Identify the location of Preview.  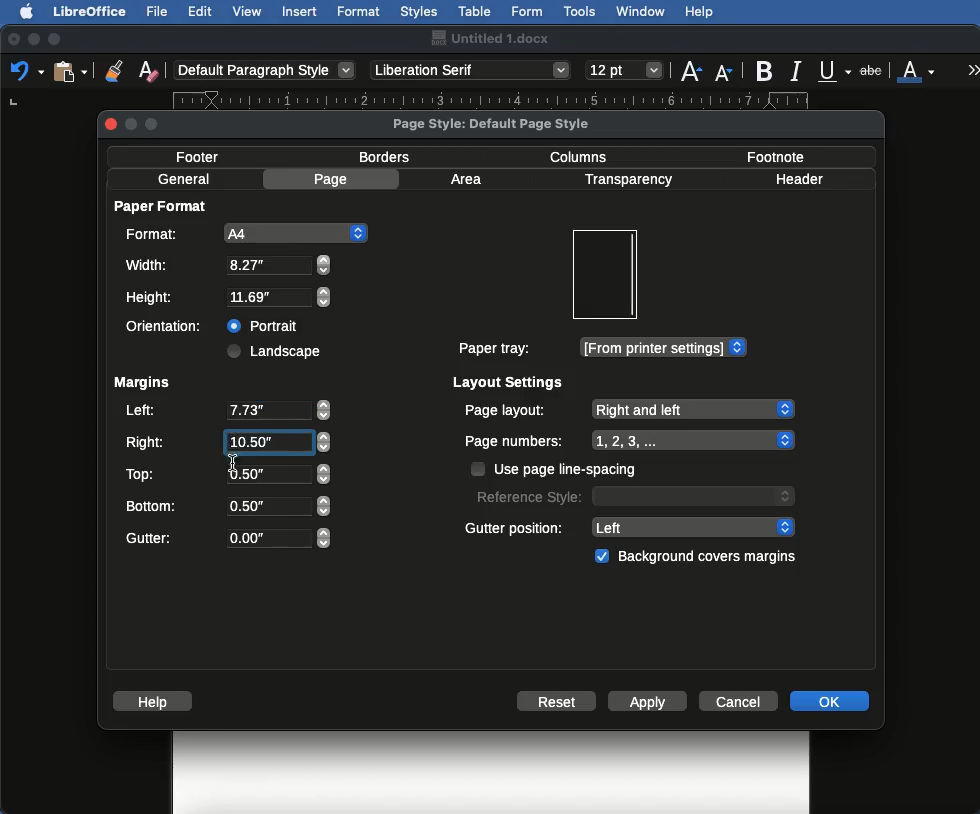
(604, 275).